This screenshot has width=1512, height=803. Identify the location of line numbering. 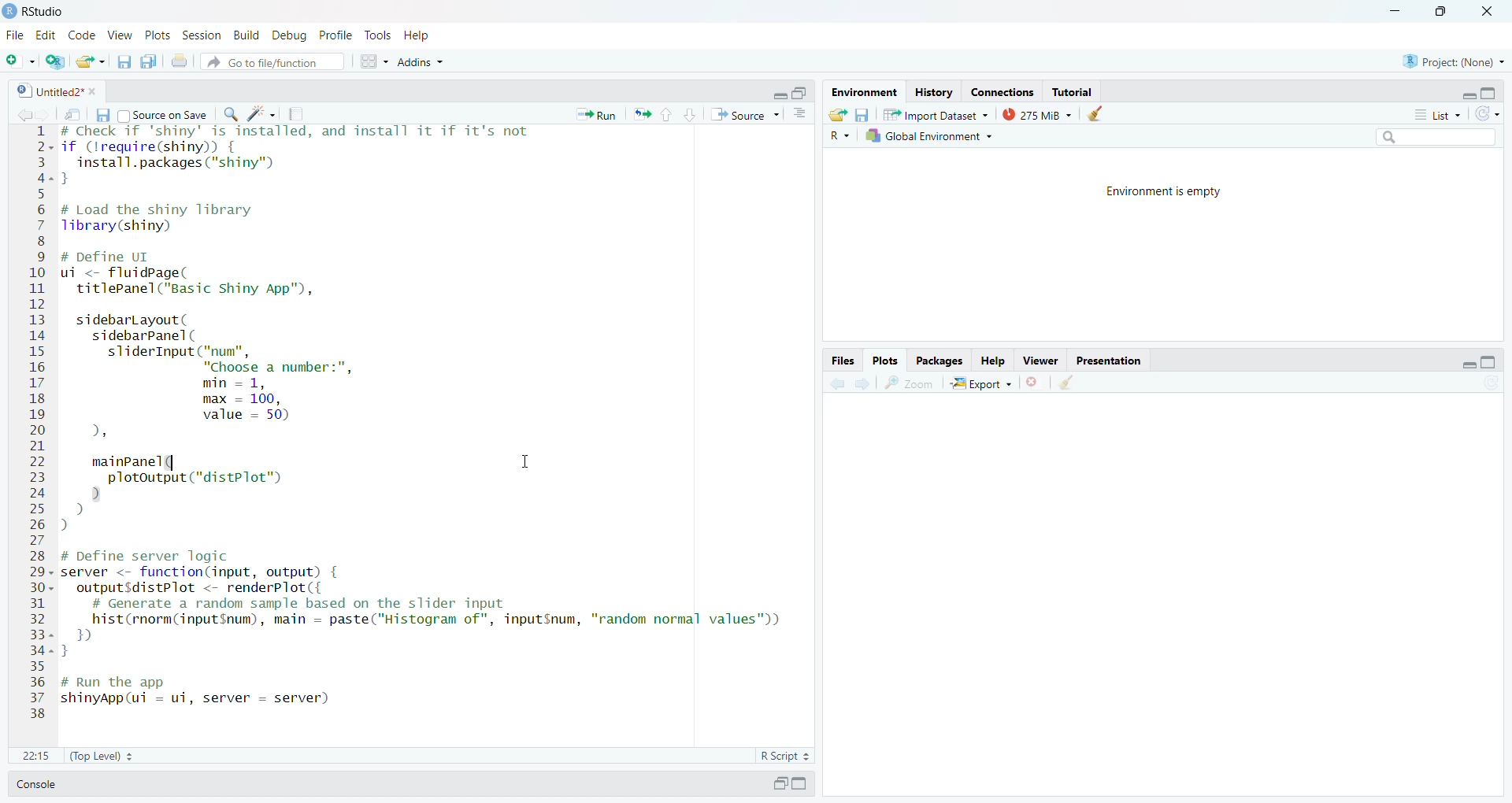
(39, 422).